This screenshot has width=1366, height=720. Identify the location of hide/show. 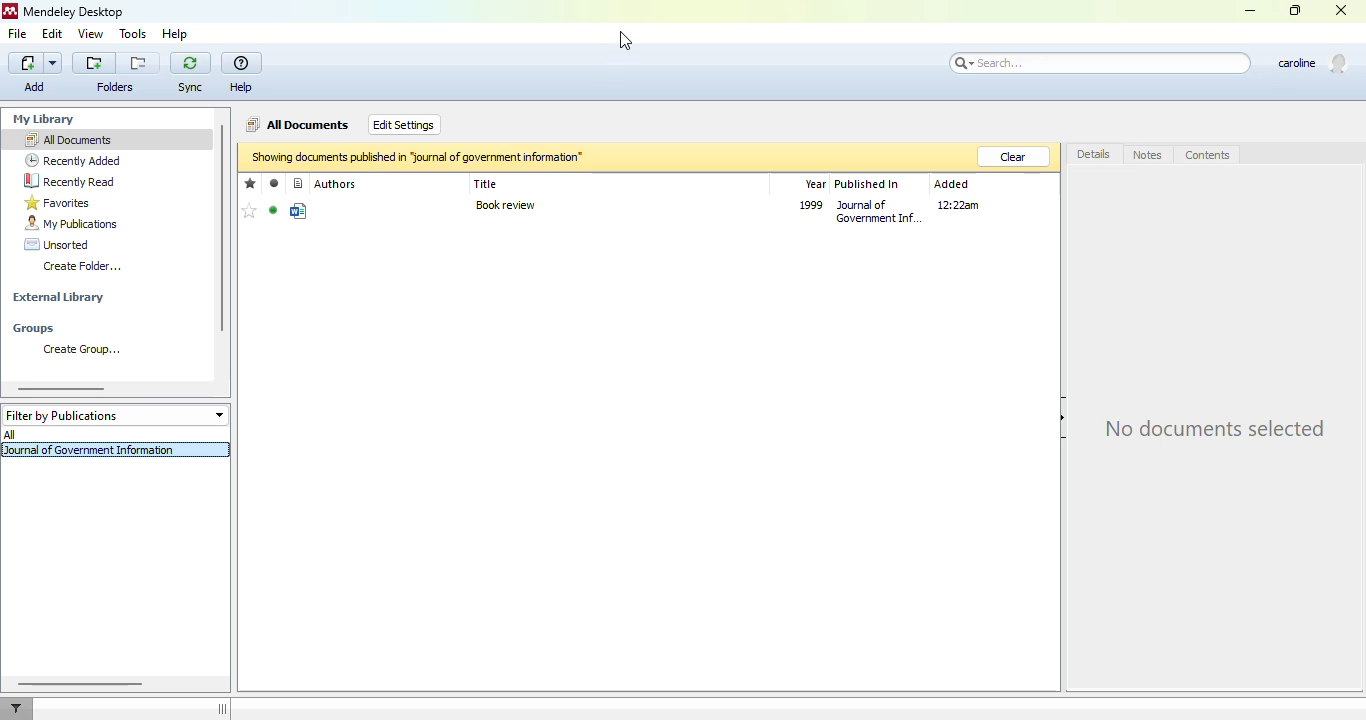
(222, 709).